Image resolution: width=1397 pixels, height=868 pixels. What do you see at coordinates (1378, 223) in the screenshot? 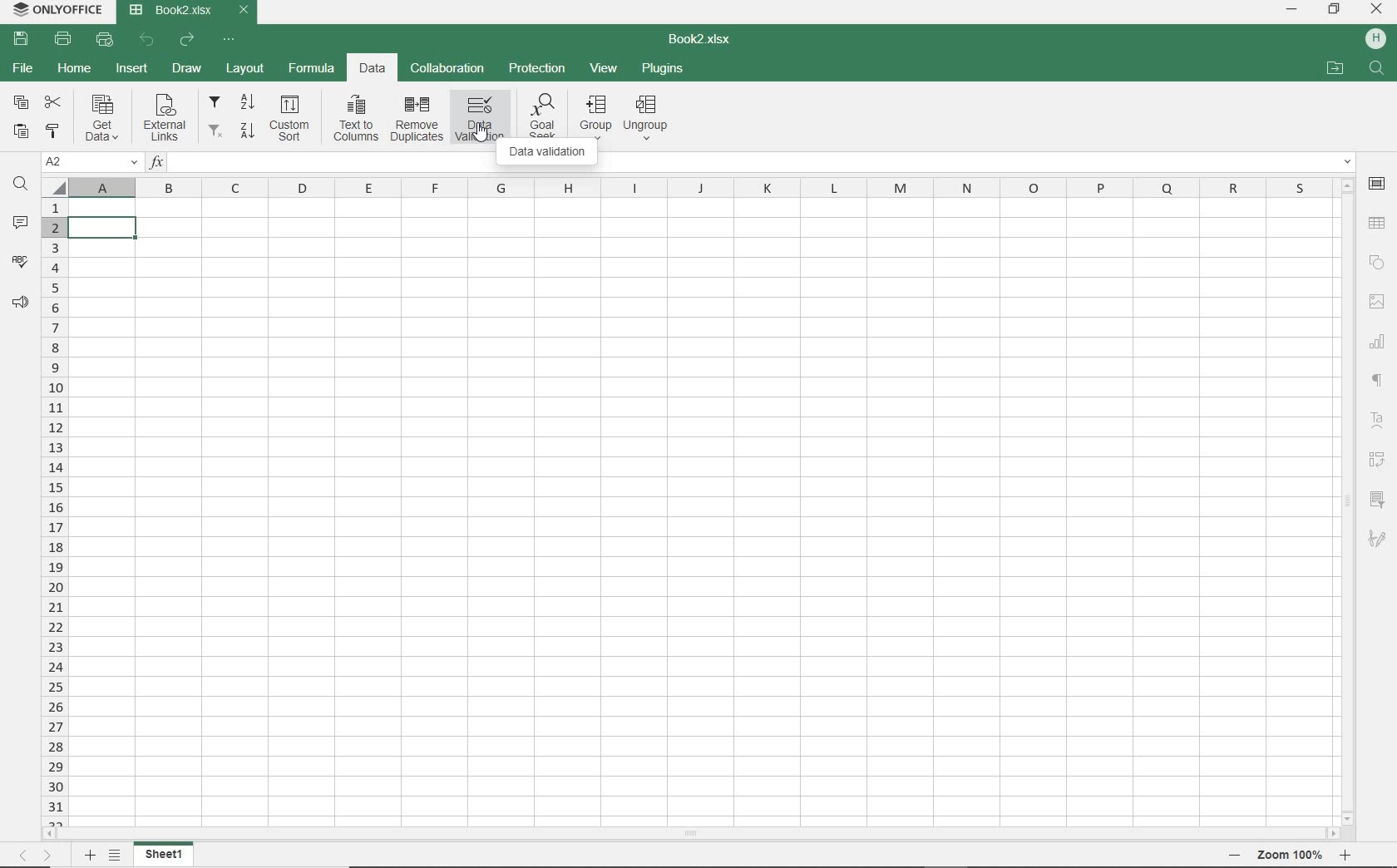
I see `TABLE` at bounding box center [1378, 223].